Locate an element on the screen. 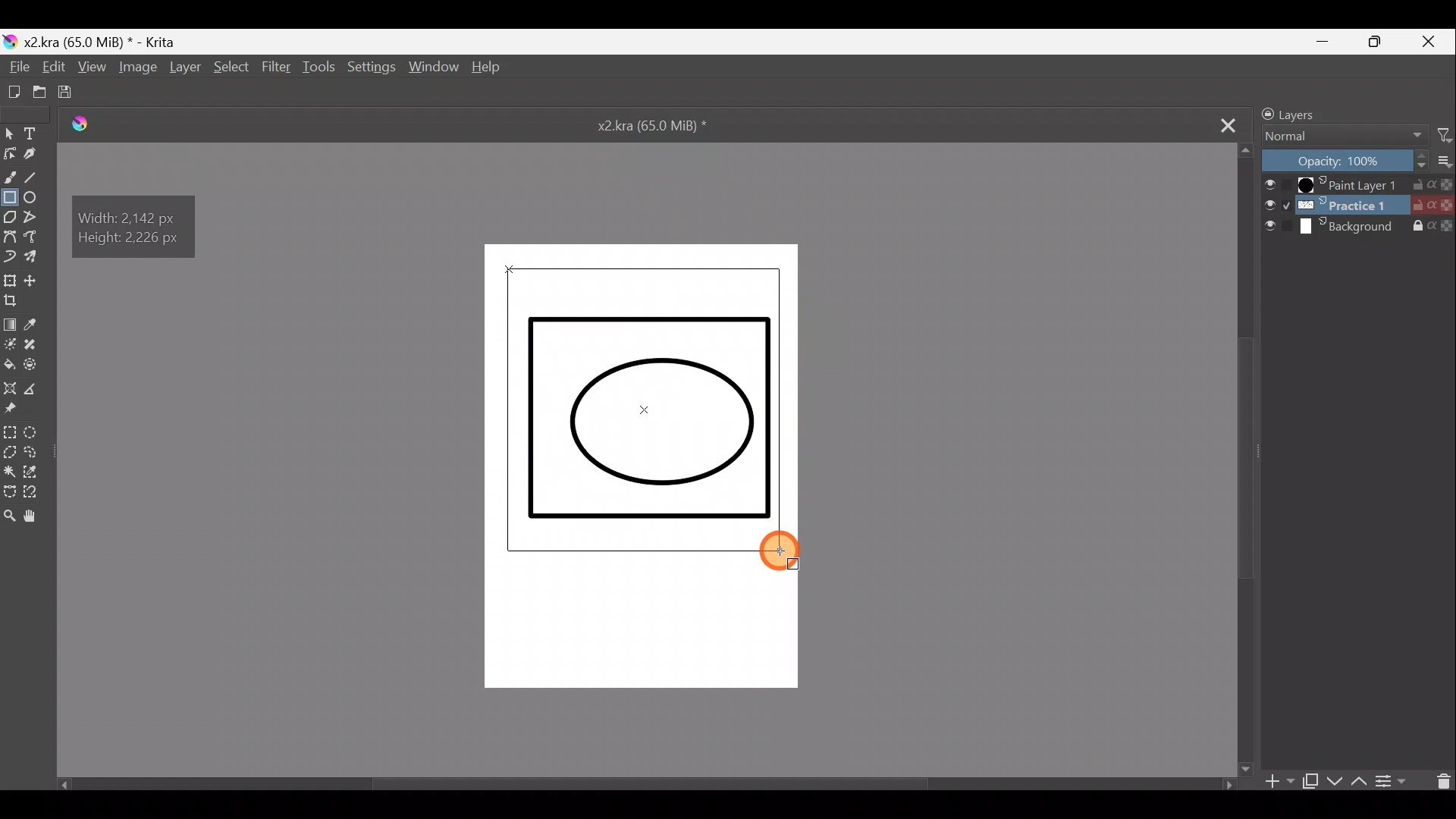 Image resolution: width=1456 pixels, height=819 pixels. Polygonal selection tool is located at coordinates (10, 455).